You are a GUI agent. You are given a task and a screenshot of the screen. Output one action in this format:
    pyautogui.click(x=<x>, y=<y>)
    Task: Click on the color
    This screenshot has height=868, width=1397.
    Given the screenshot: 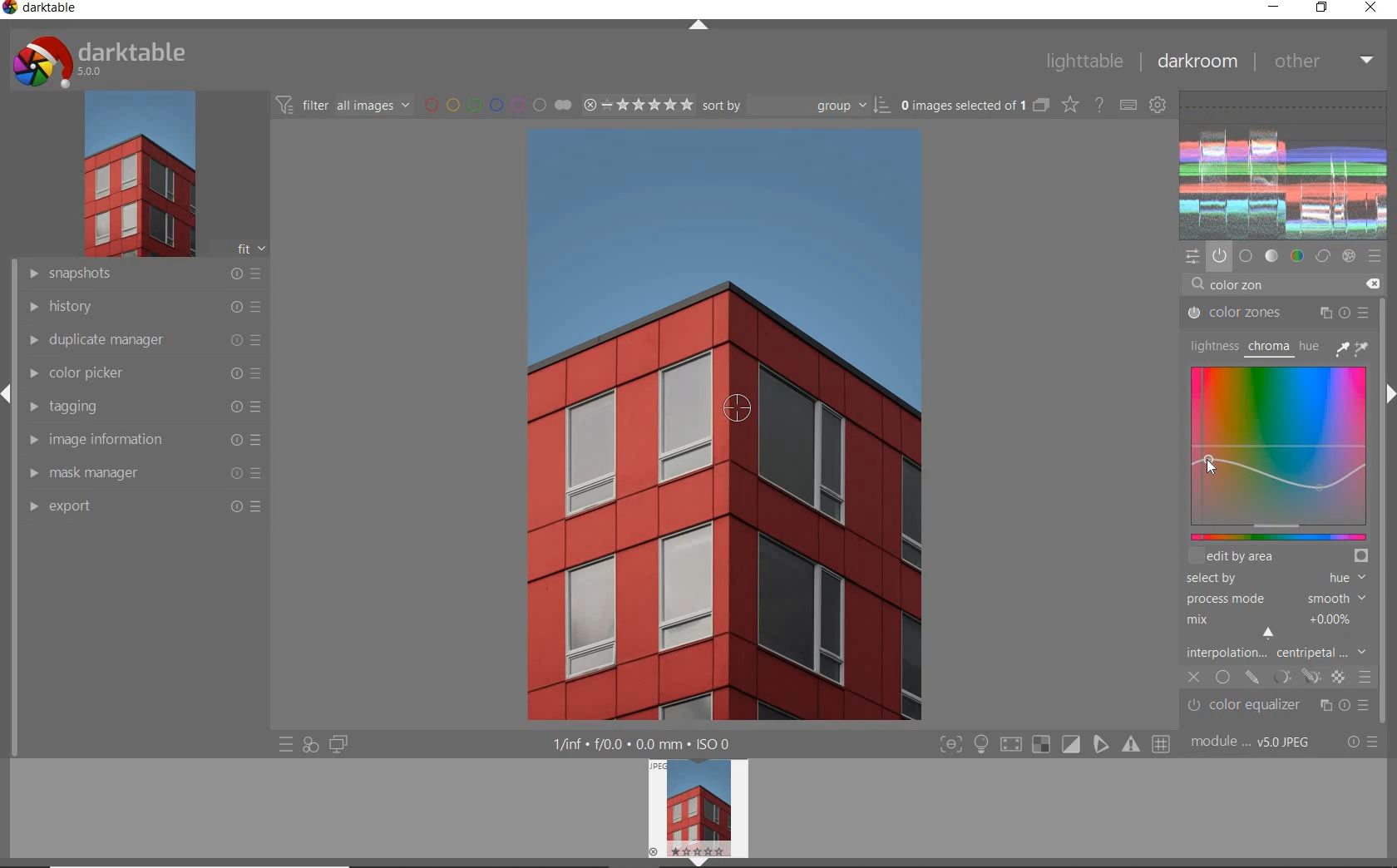 What is the action you would take?
    pyautogui.click(x=1296, y=256)
    